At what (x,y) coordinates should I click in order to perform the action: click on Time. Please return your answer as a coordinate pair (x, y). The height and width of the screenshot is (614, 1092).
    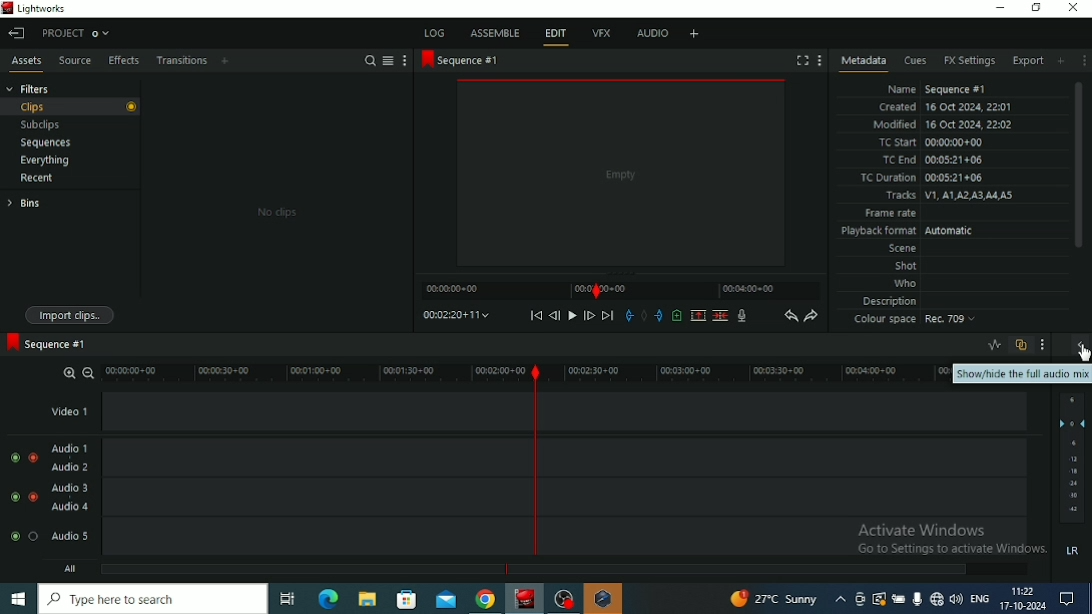
    Looking at the image, I should click on (1023, 590).